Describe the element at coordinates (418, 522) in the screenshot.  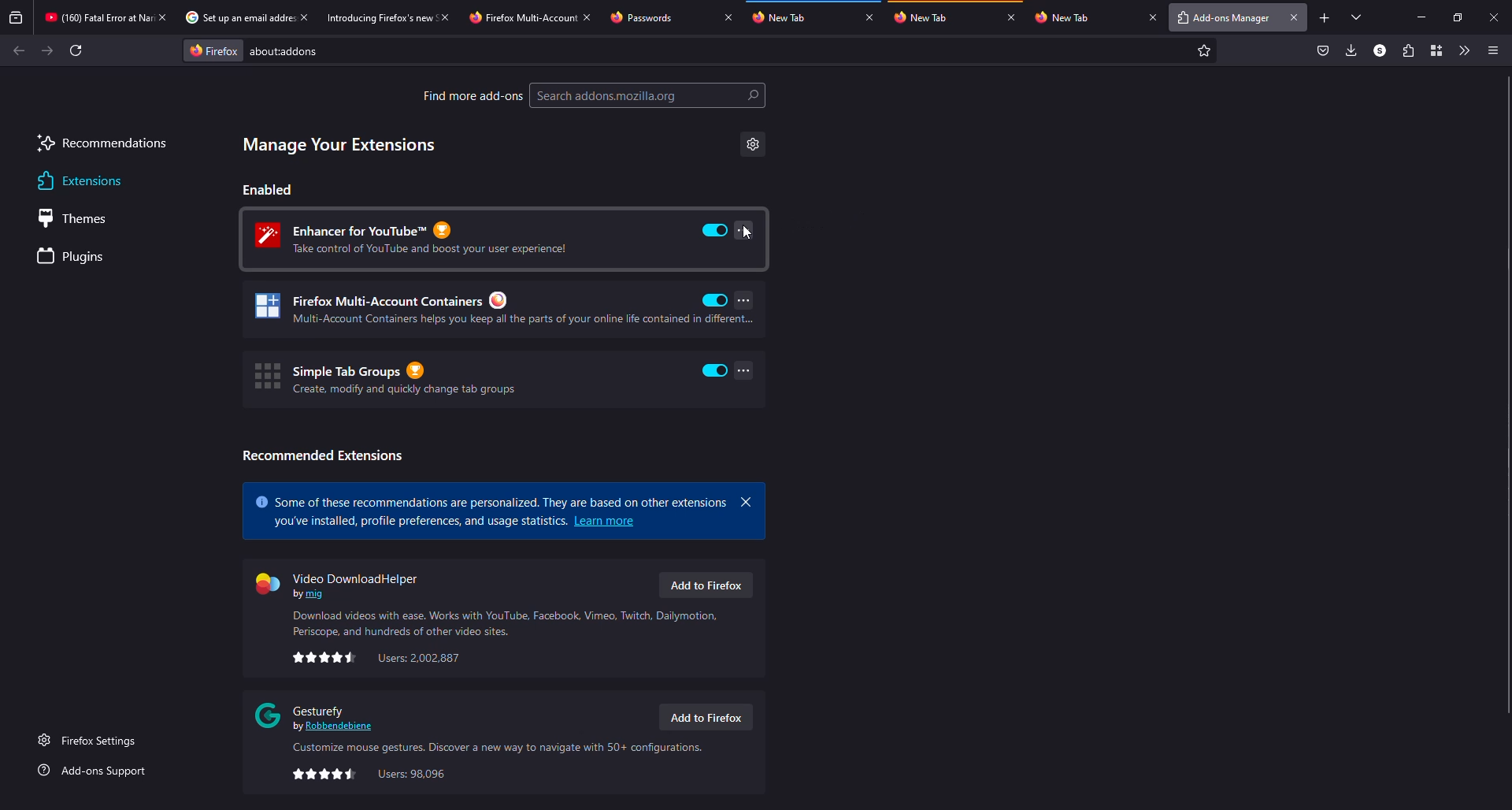
I see `Text` at that location.